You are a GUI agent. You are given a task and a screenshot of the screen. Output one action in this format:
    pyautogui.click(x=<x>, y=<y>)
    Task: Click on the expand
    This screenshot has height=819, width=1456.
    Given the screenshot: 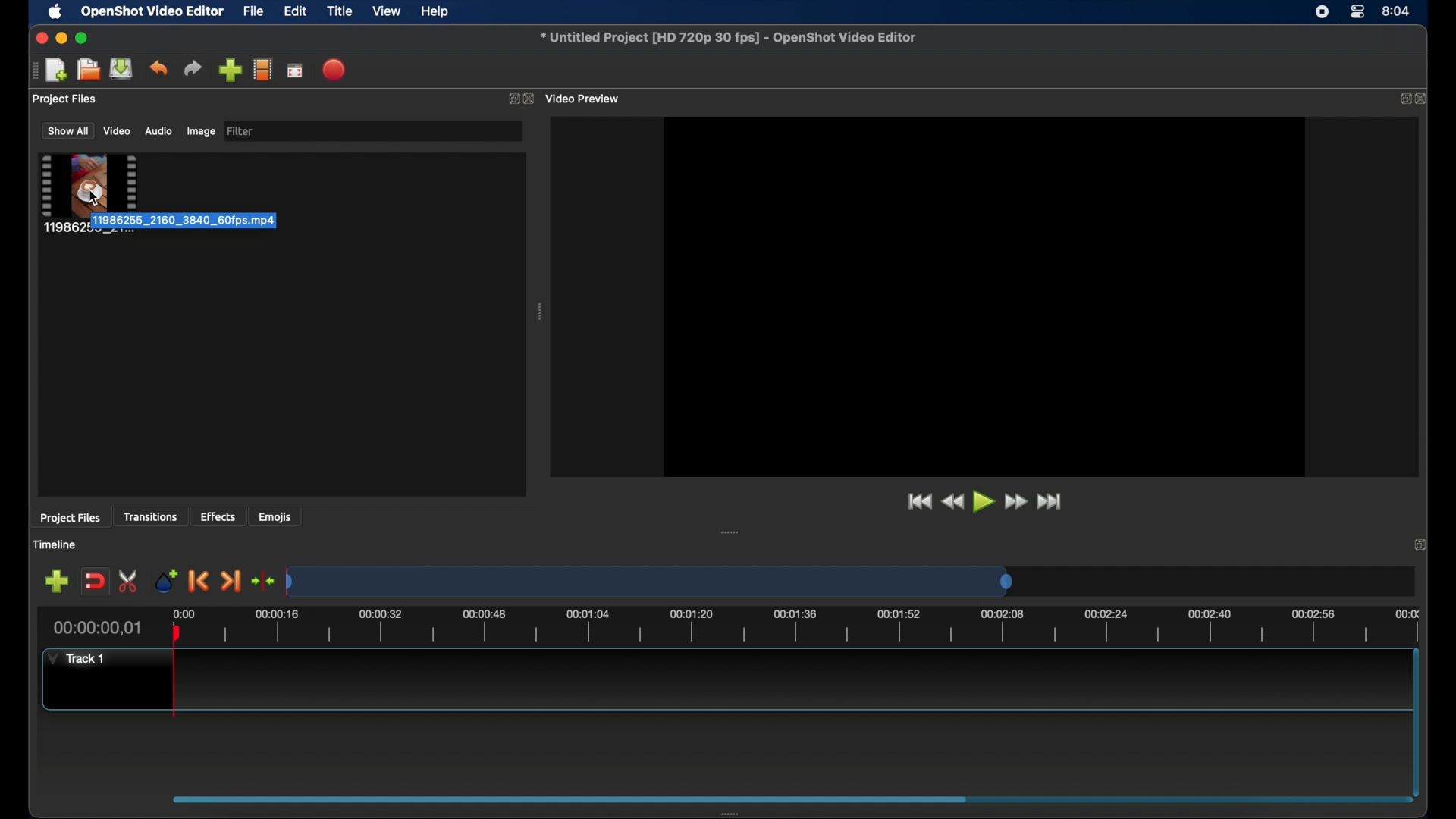 What is the action you would take?
    pyautogui.click(x=512, y=99)
    